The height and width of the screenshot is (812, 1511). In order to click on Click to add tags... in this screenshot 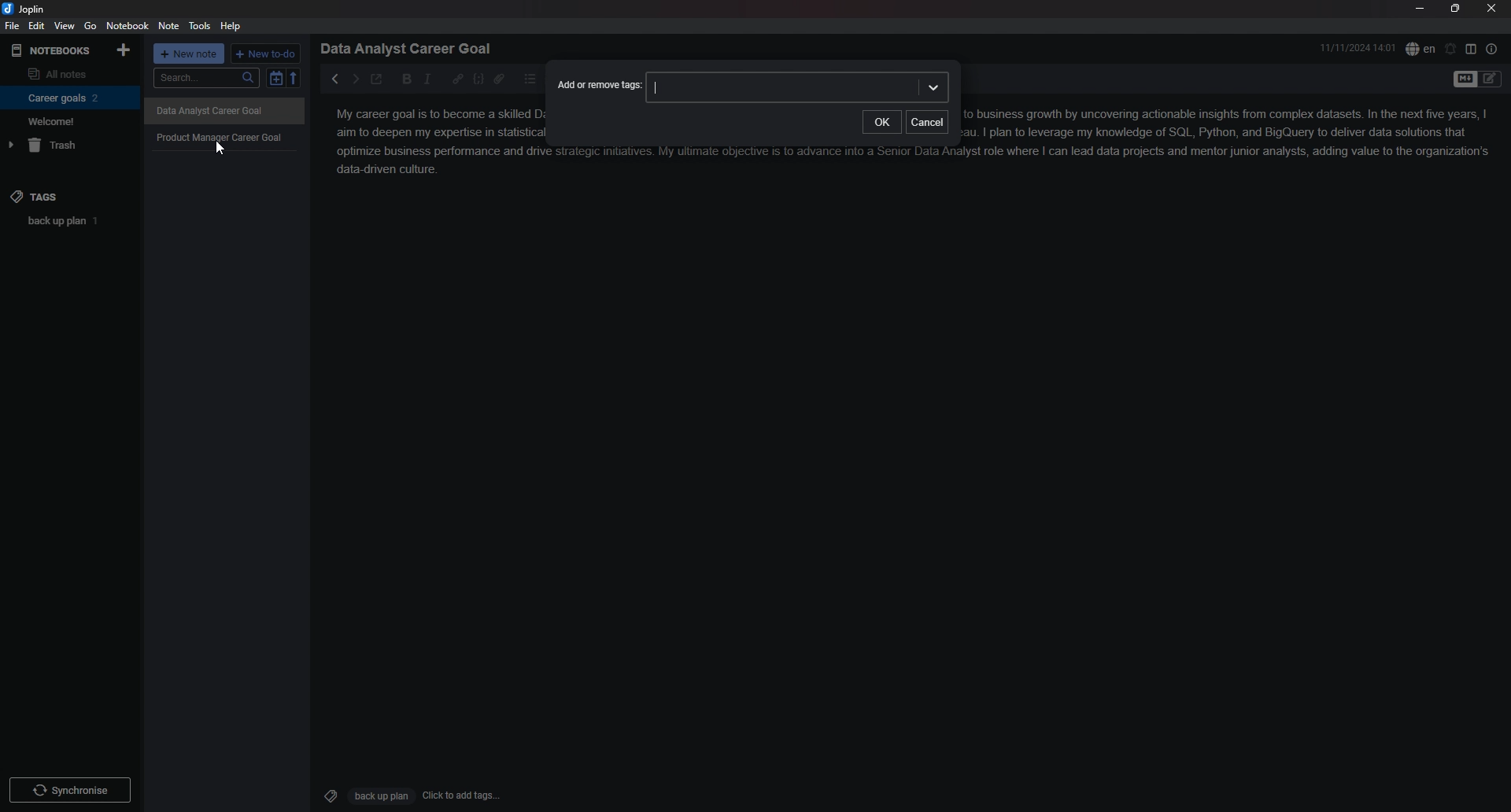, I will do `click(463, 795)`.